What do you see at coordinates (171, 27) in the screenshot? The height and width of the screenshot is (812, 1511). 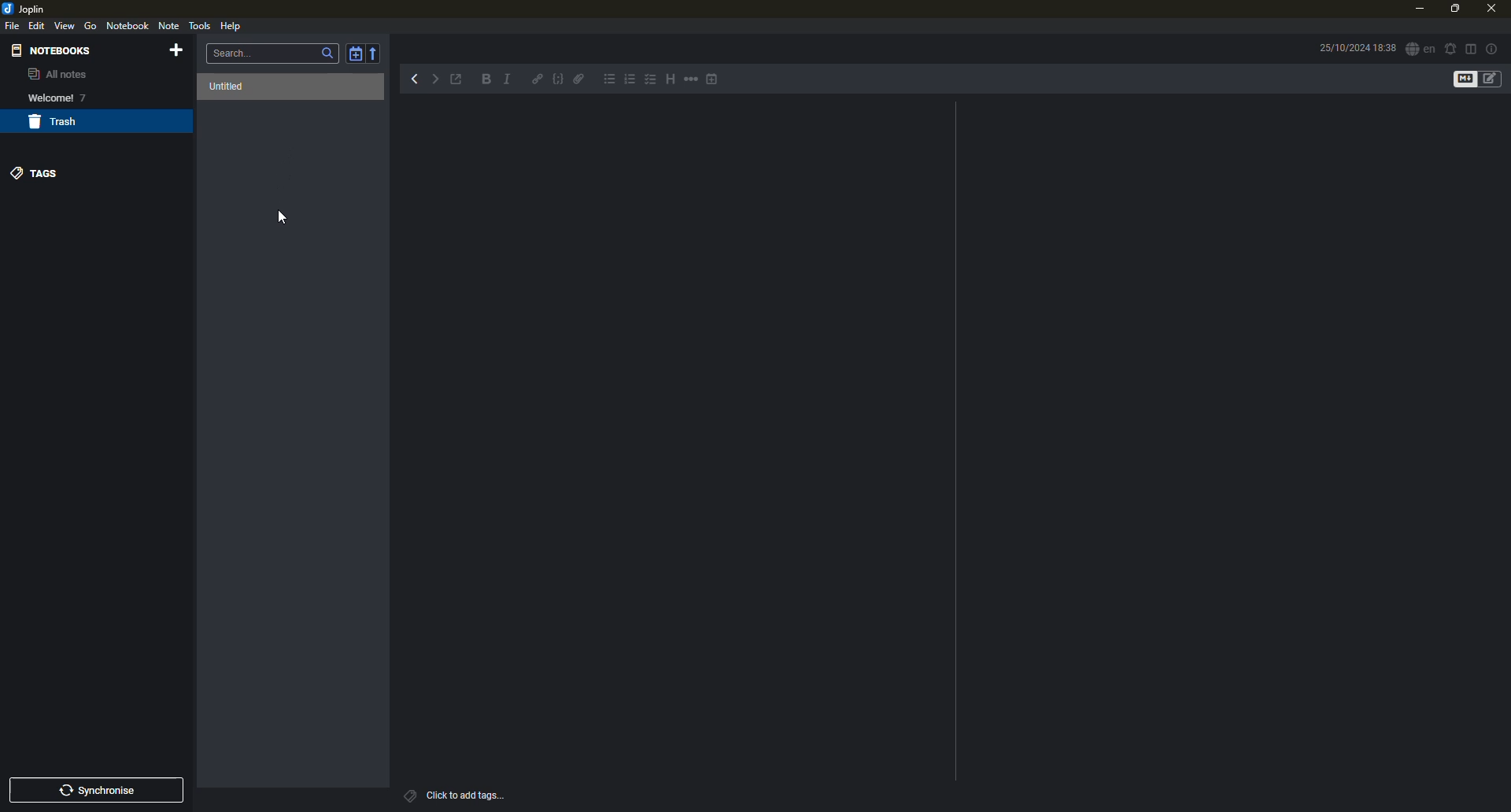 I see `note` at bounding box center [171, 27].